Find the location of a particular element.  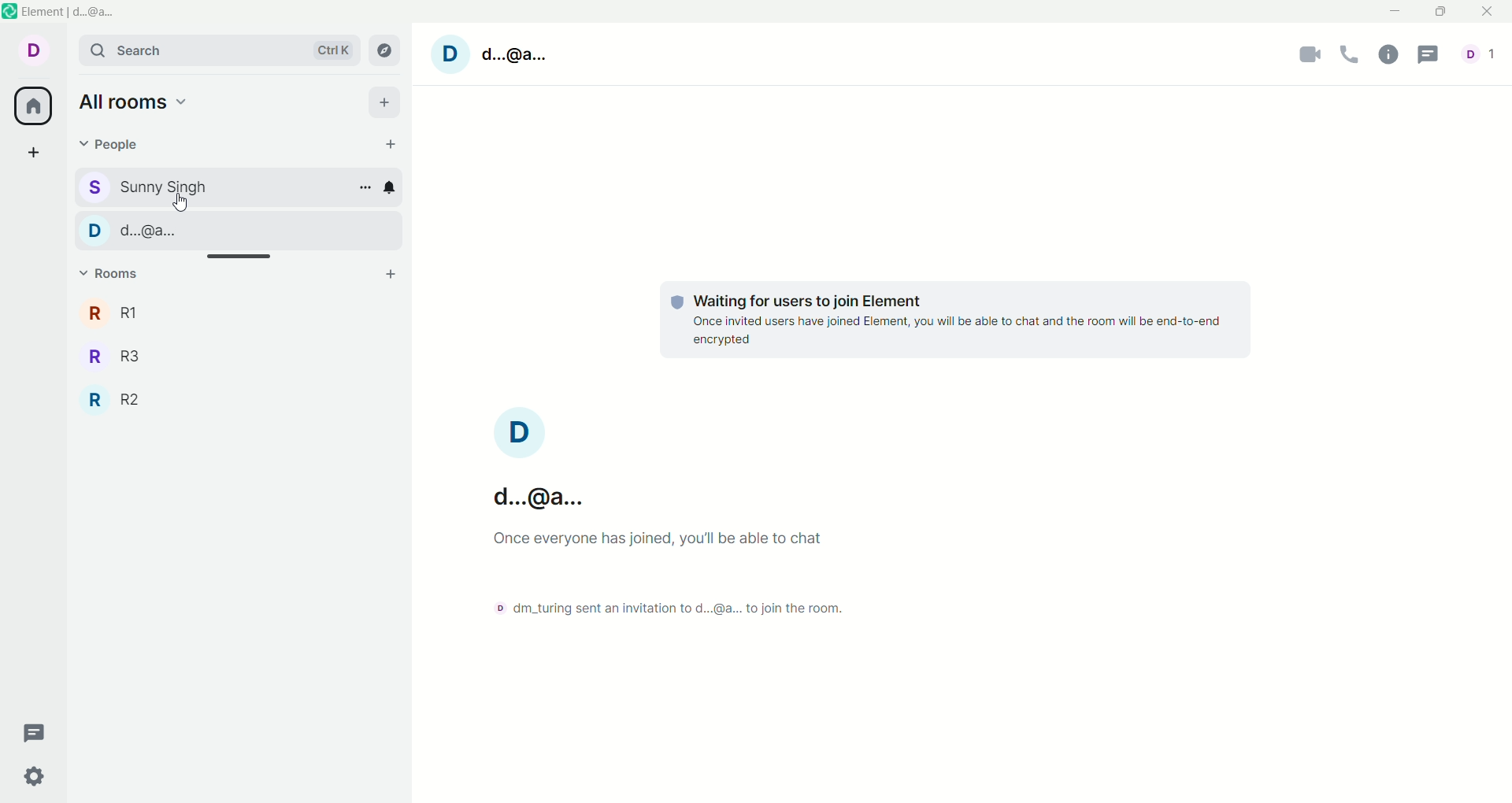

video call is located at coordinates (1303, 57).